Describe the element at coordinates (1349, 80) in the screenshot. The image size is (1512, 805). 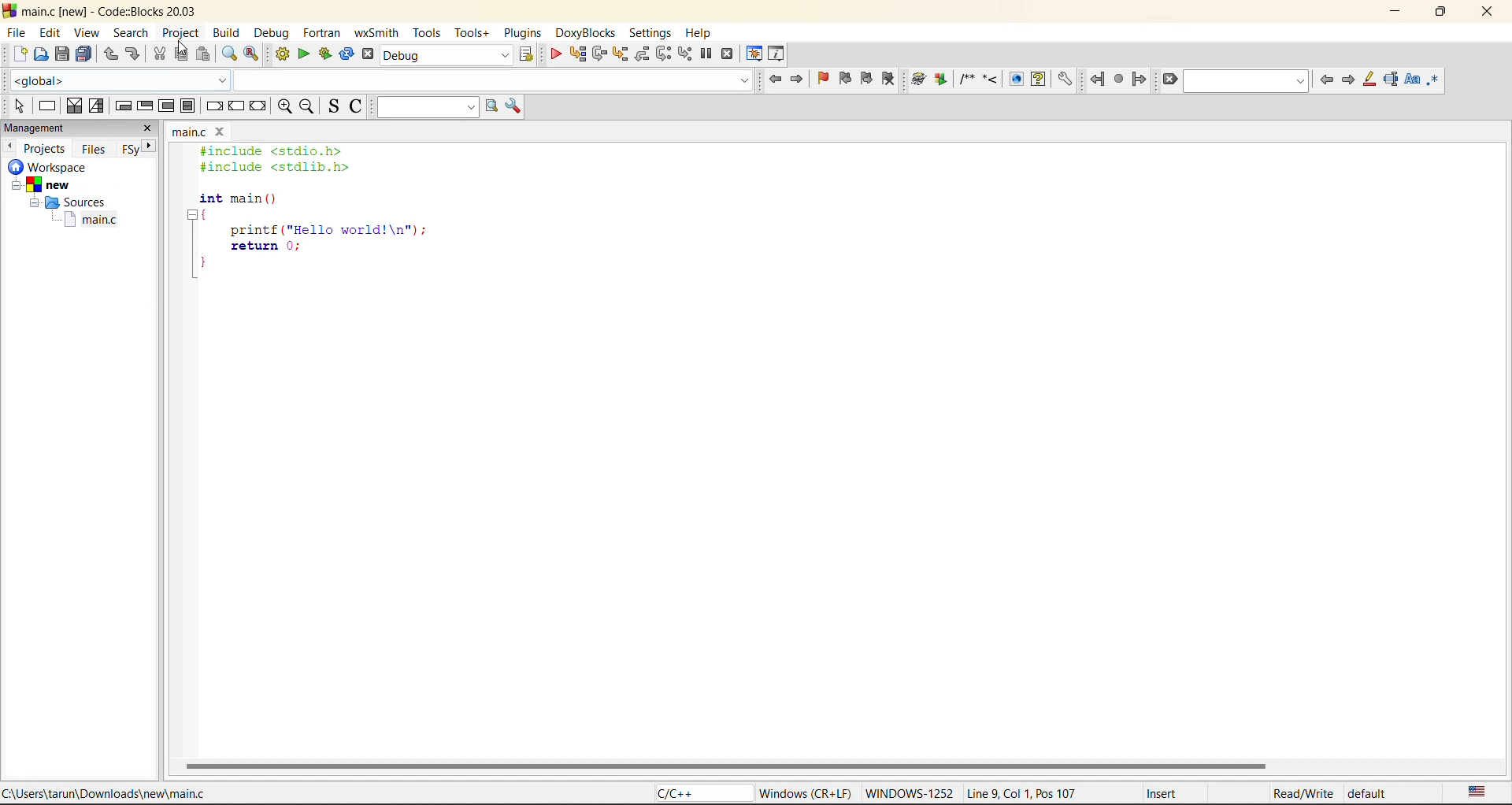
I see `next` at that location.